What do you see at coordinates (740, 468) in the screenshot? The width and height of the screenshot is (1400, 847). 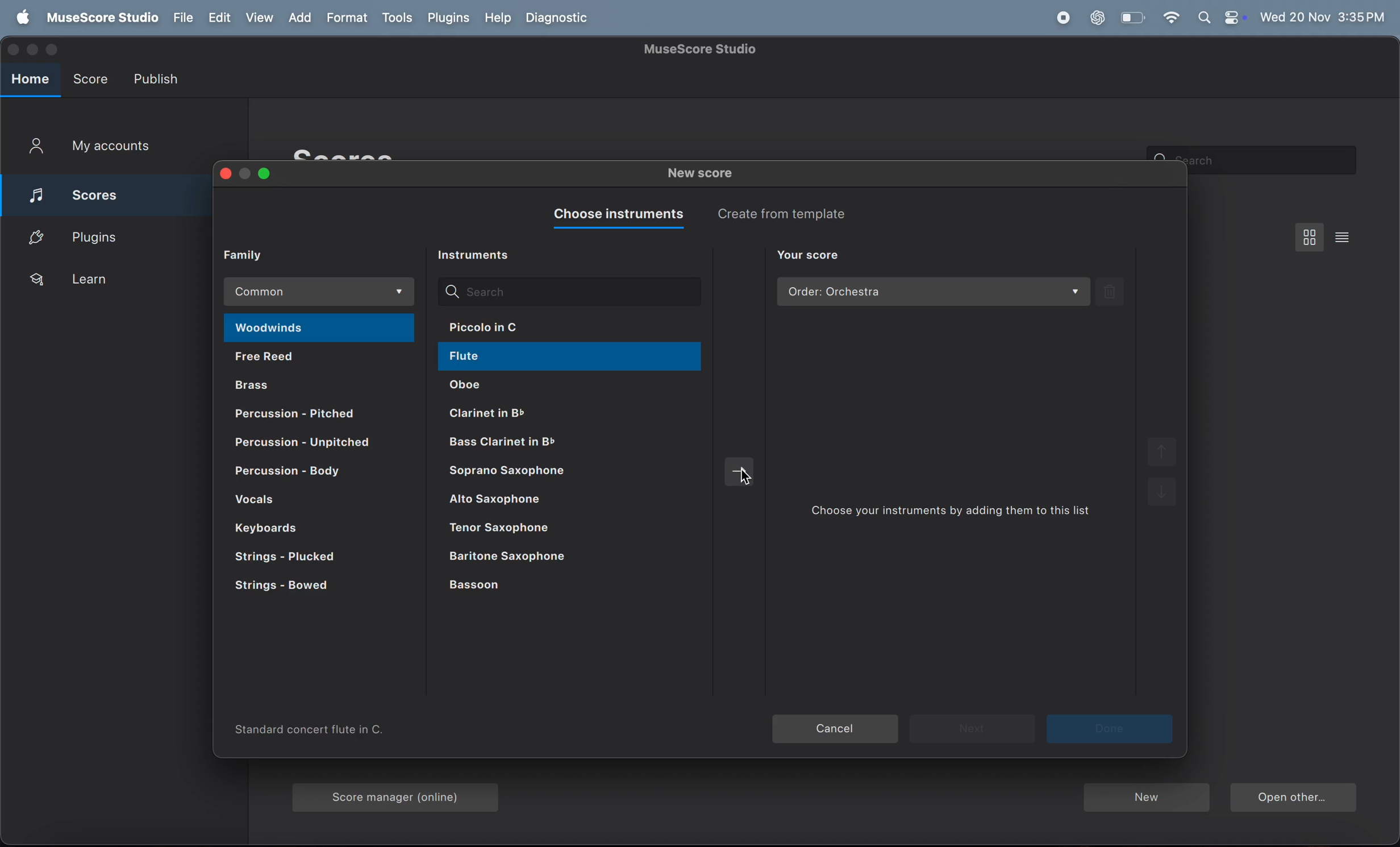 I see `move` at bounding box center [740, 468].